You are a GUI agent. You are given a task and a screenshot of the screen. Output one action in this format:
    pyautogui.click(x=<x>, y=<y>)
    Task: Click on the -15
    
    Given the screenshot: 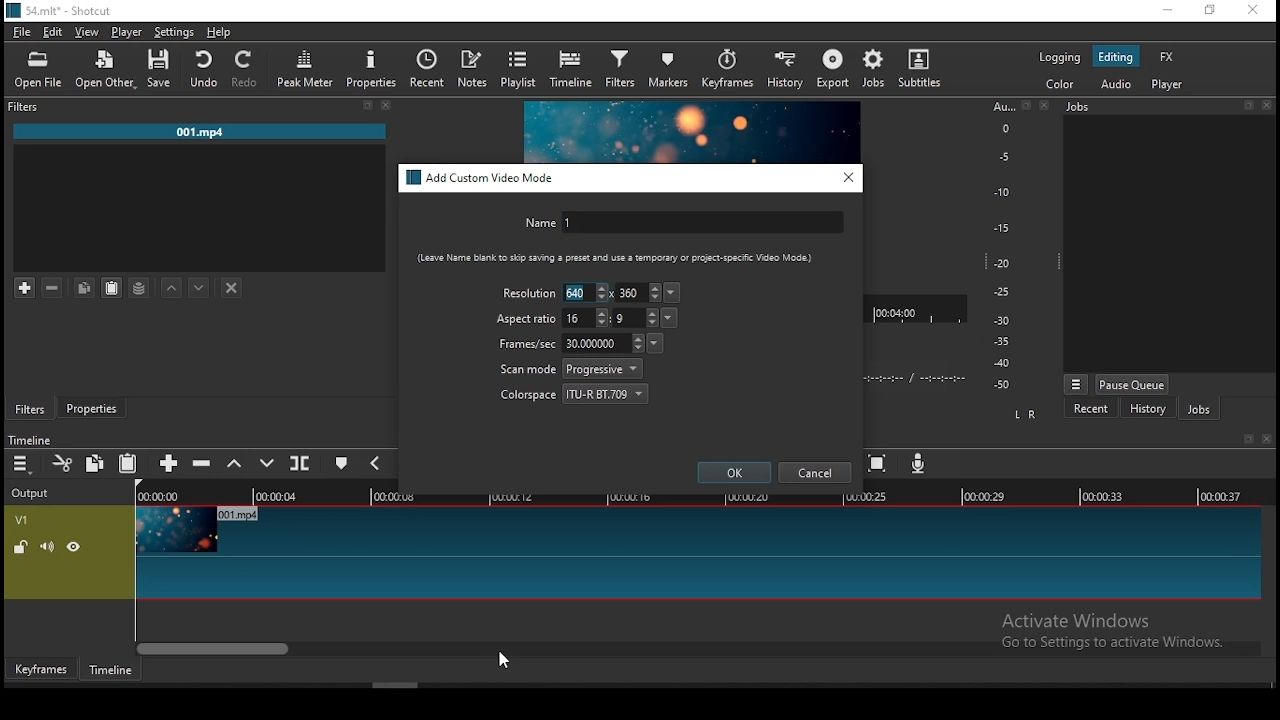 What is the action you would take?
    pyautogui.click(x=1000, y=227)
    